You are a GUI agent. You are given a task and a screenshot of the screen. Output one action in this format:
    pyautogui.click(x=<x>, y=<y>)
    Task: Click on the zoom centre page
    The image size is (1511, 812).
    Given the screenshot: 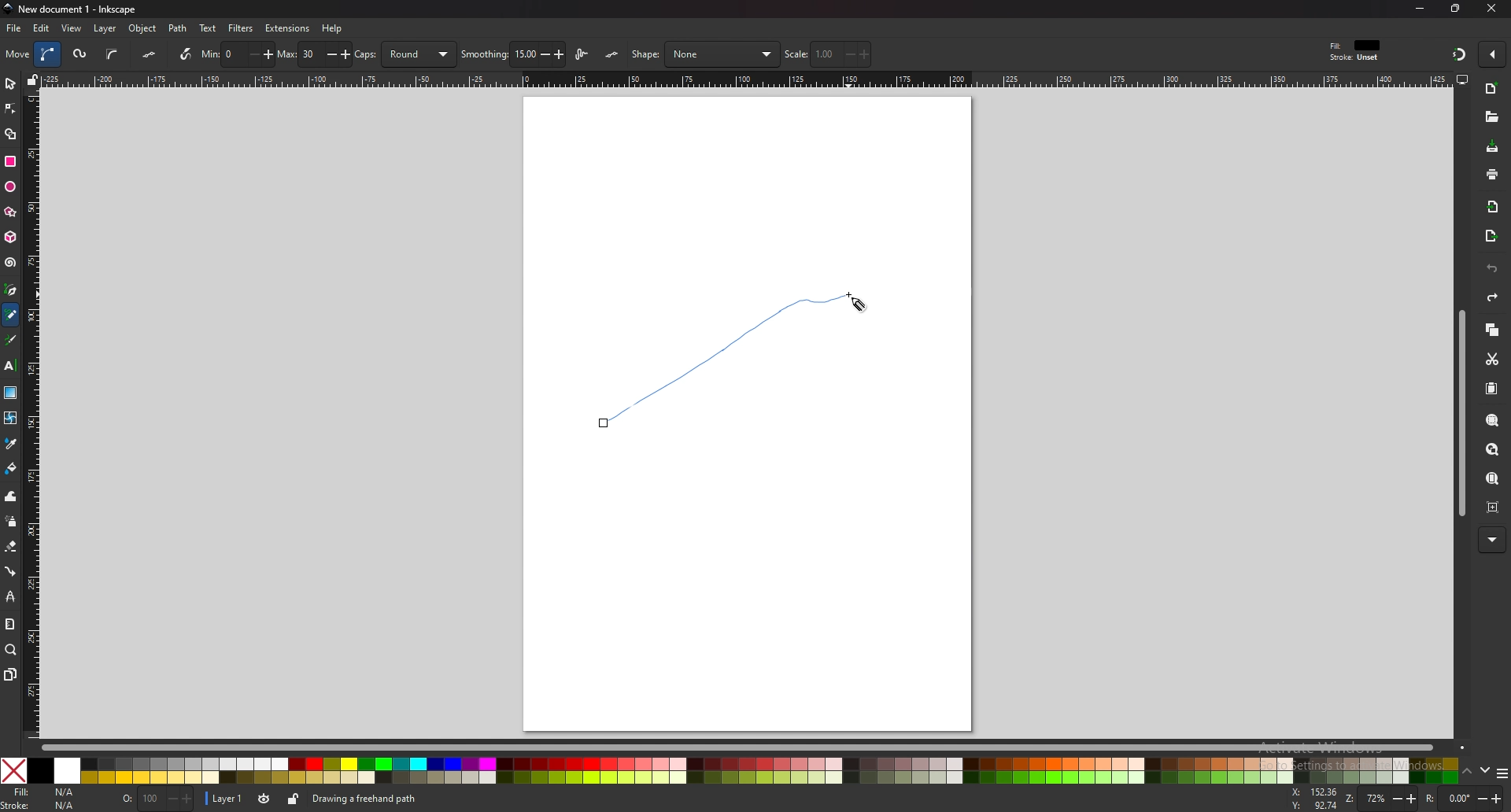 What is the action you would take?
    pyautogui.click(x=1491, y=507)
    